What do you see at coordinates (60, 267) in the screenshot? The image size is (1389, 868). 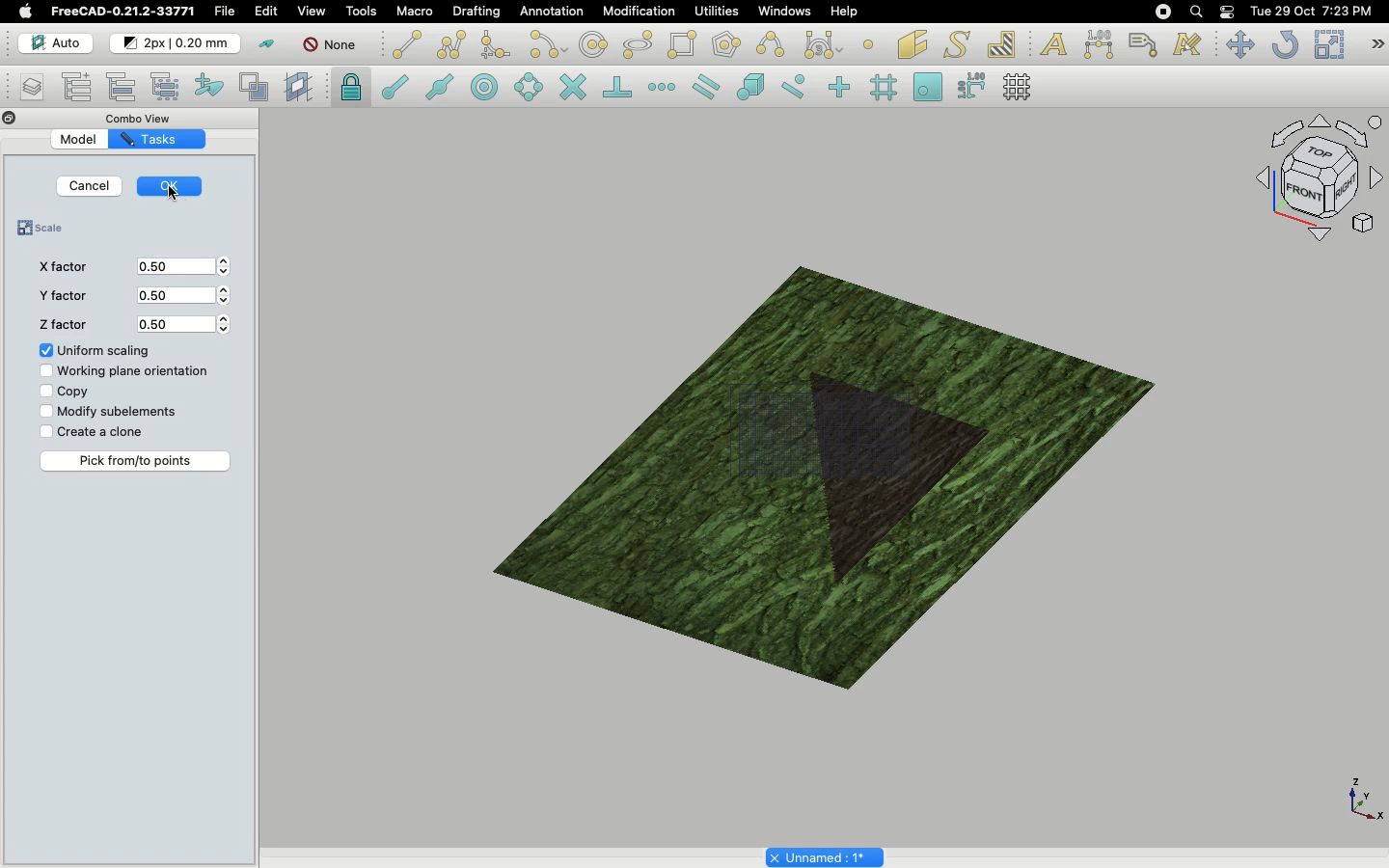 I see `X factor` at bounding box center [60, 267].